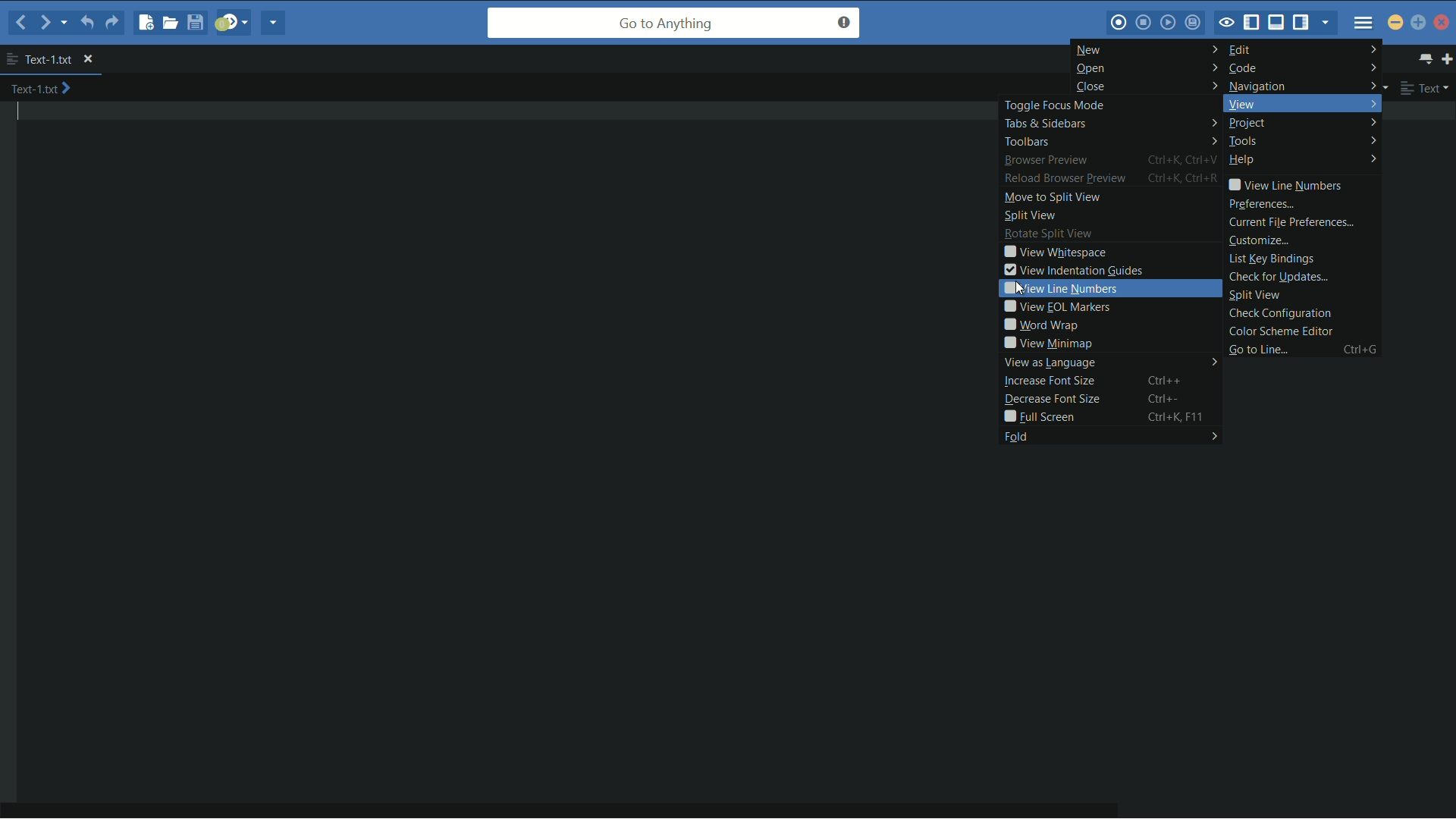  What do you see at coordinates (1284, 185) in the screenshot?
I see `view line numbers` at bounding box center [1284, 185].